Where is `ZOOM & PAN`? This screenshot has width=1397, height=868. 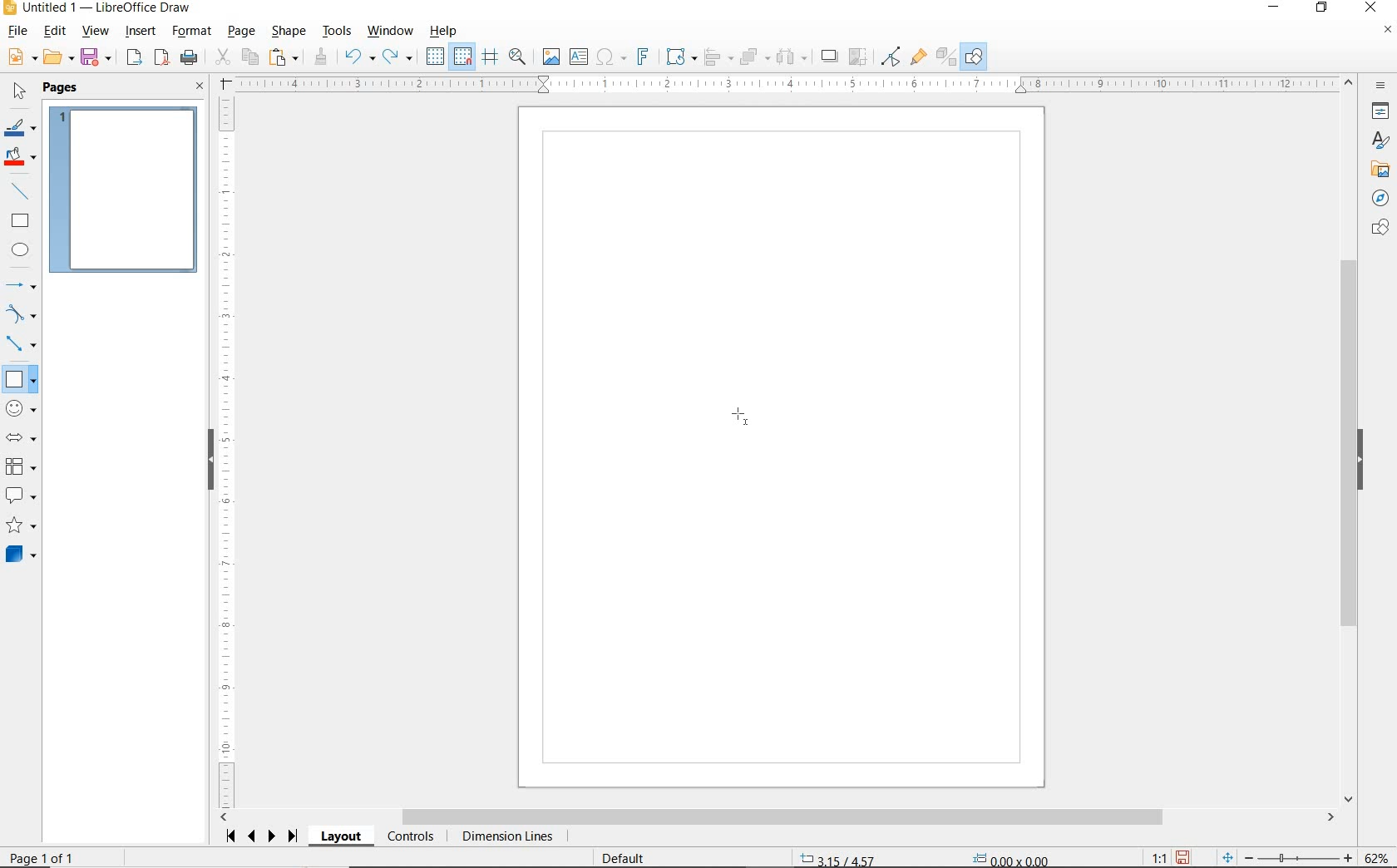 ZOOM & PAN is located at coordinates (518, 57).